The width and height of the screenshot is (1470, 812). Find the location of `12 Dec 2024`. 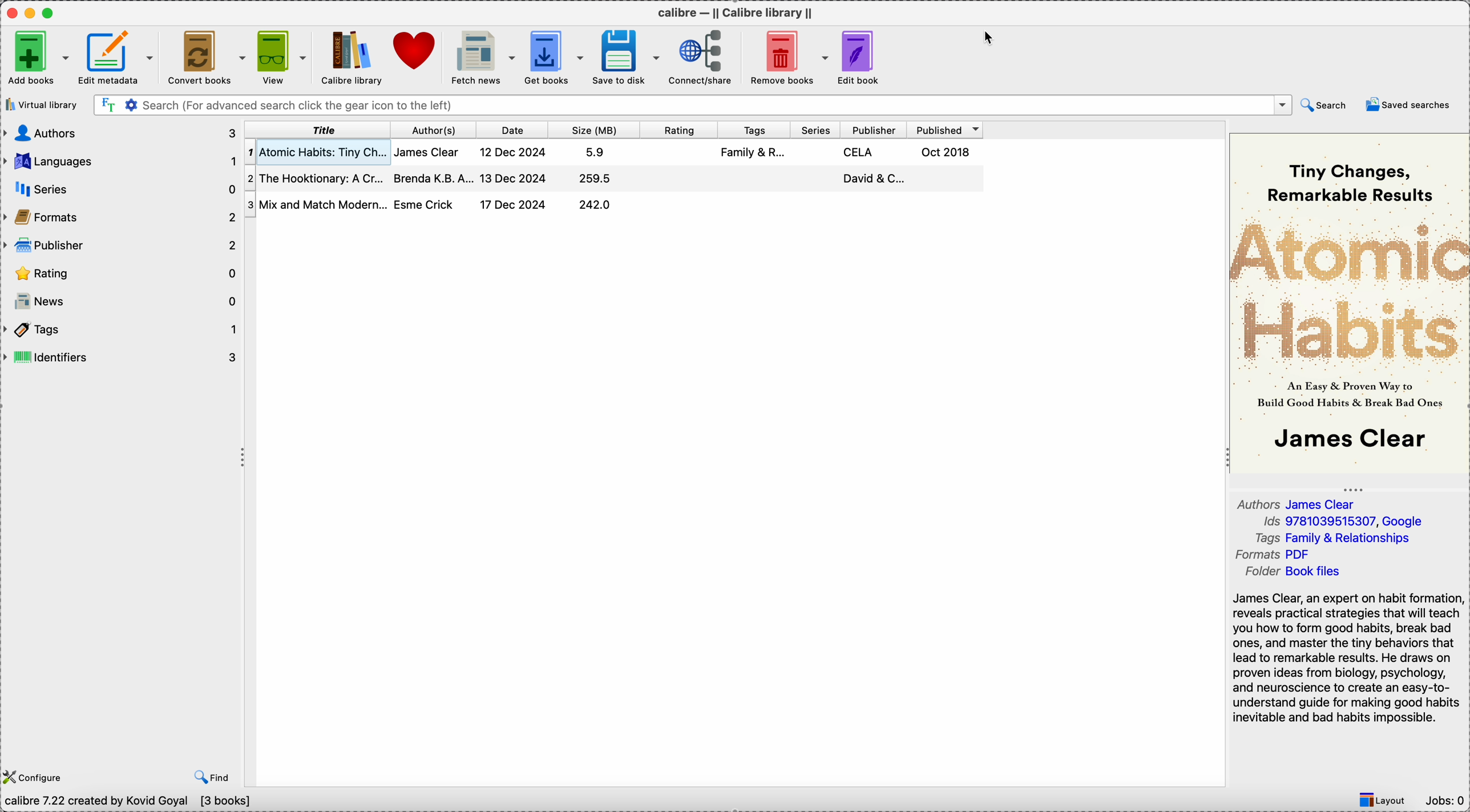

12 Dec 2024 is located at coordinates (514, 152).